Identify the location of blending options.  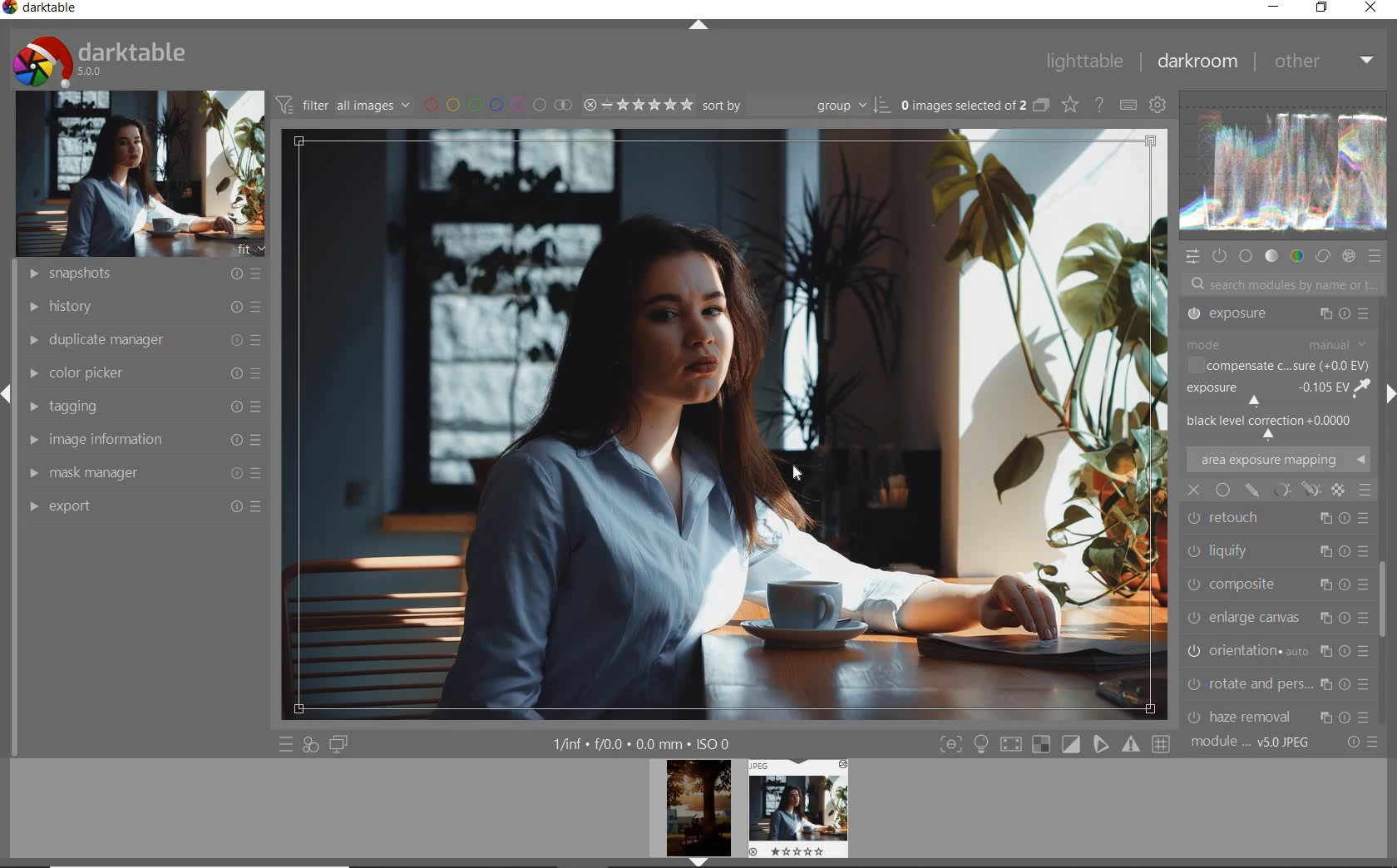
(1365, 491).